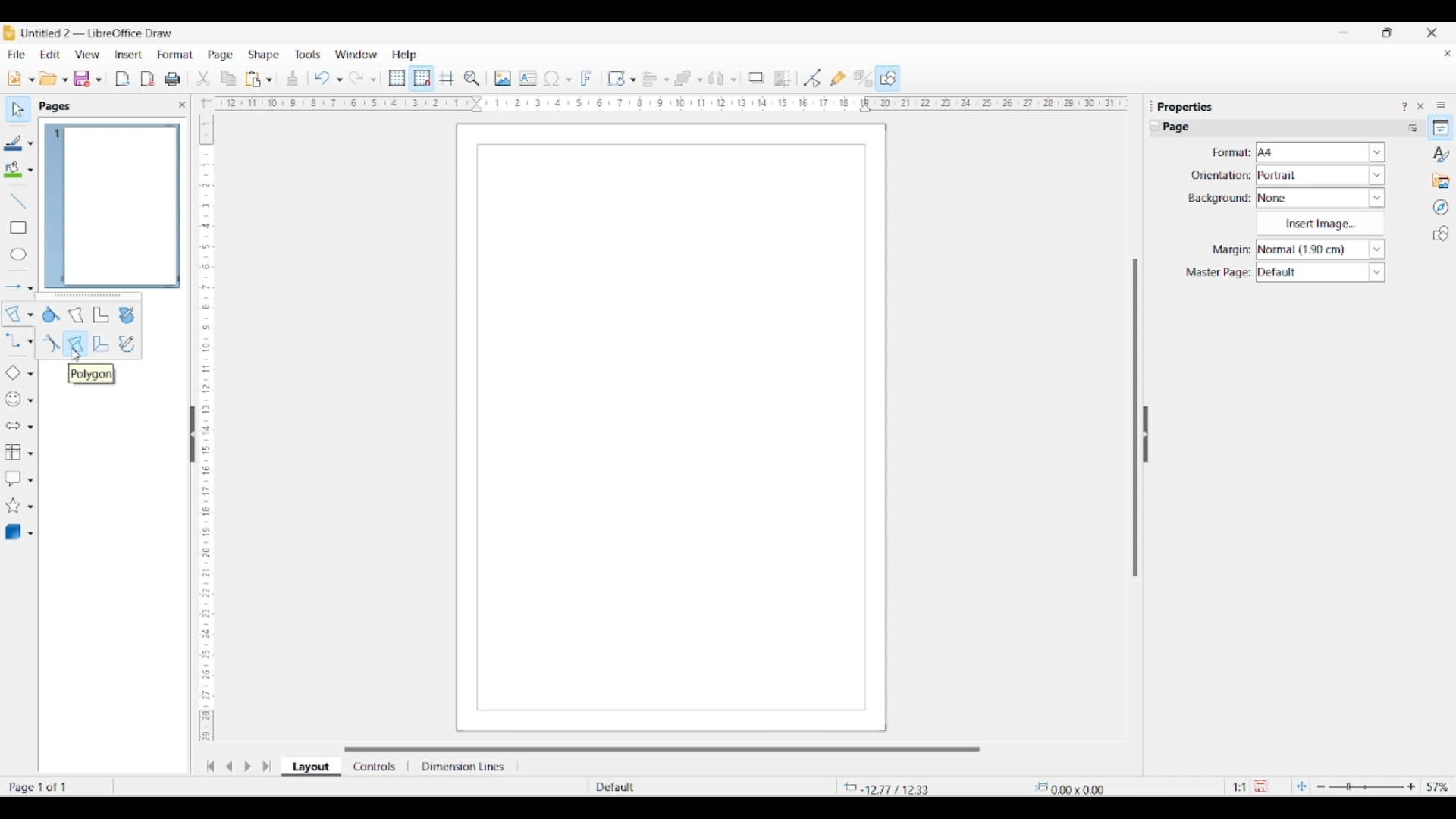 Image resolution: width=1456 pixels, height=819 pixels. What do you see at coordinates (1320, 249) in the screenshot?
I see `Margin options` at bounding box center [1320, 249].